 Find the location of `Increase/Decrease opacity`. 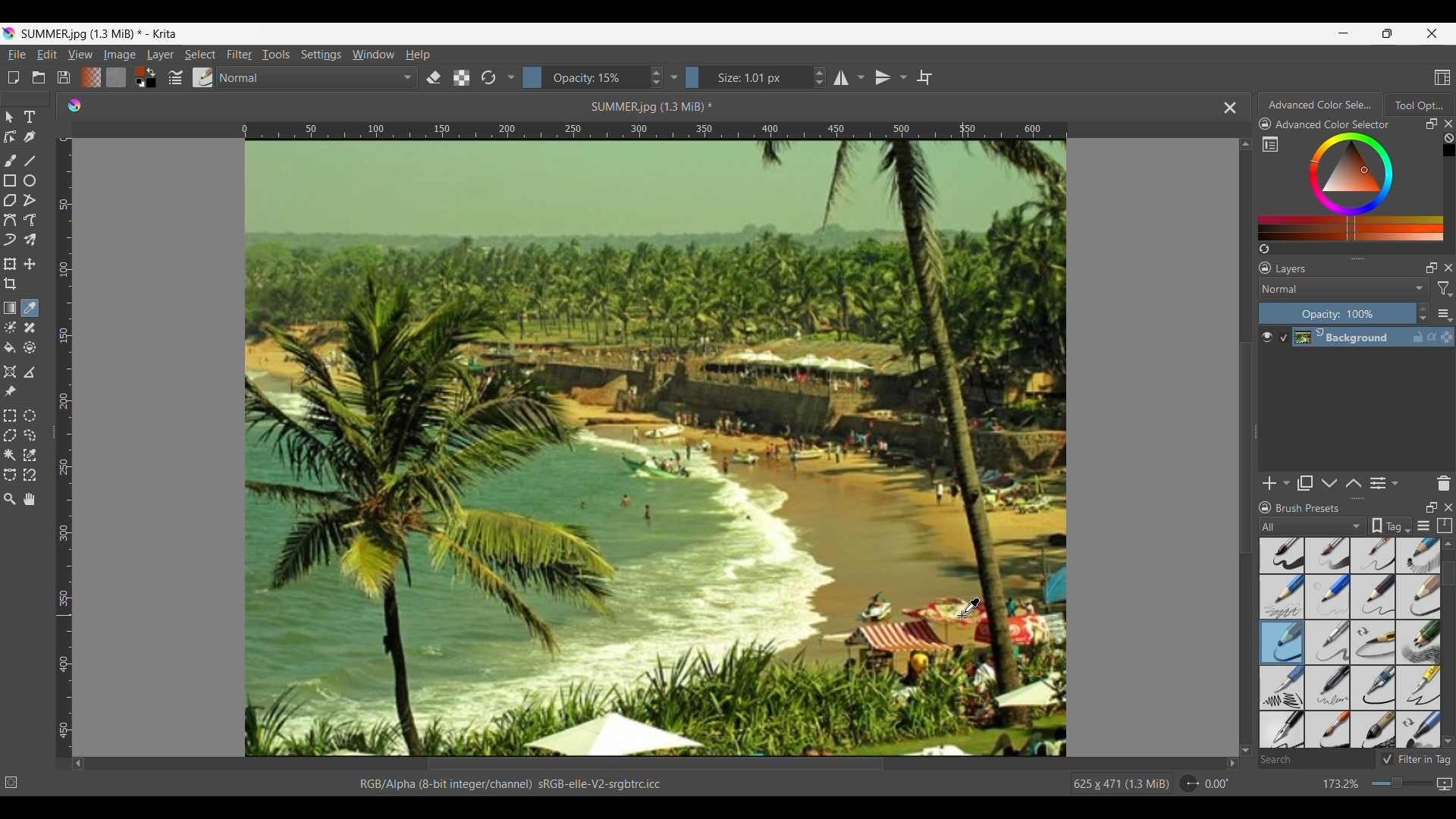

Increase/Decrease opacity is located at coordinates (1423, 314).